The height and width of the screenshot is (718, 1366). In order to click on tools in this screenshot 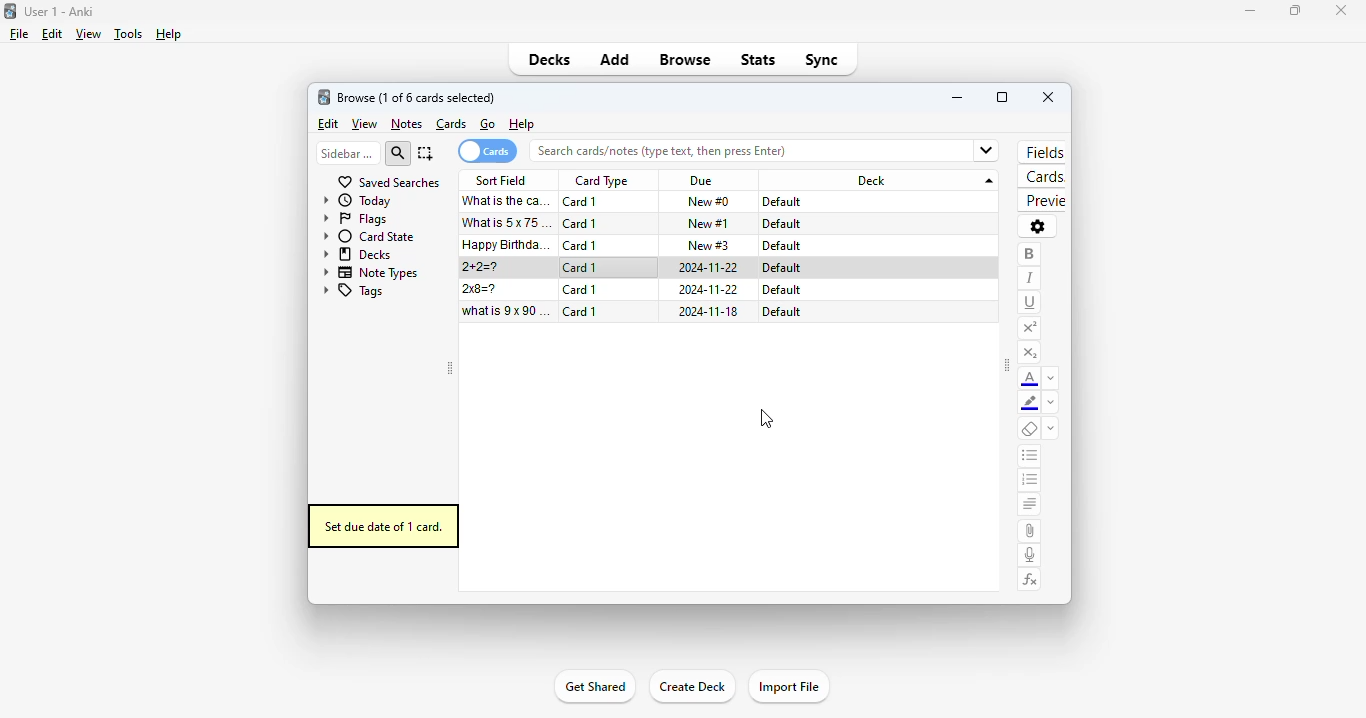, I will do `click(127, 35)`.